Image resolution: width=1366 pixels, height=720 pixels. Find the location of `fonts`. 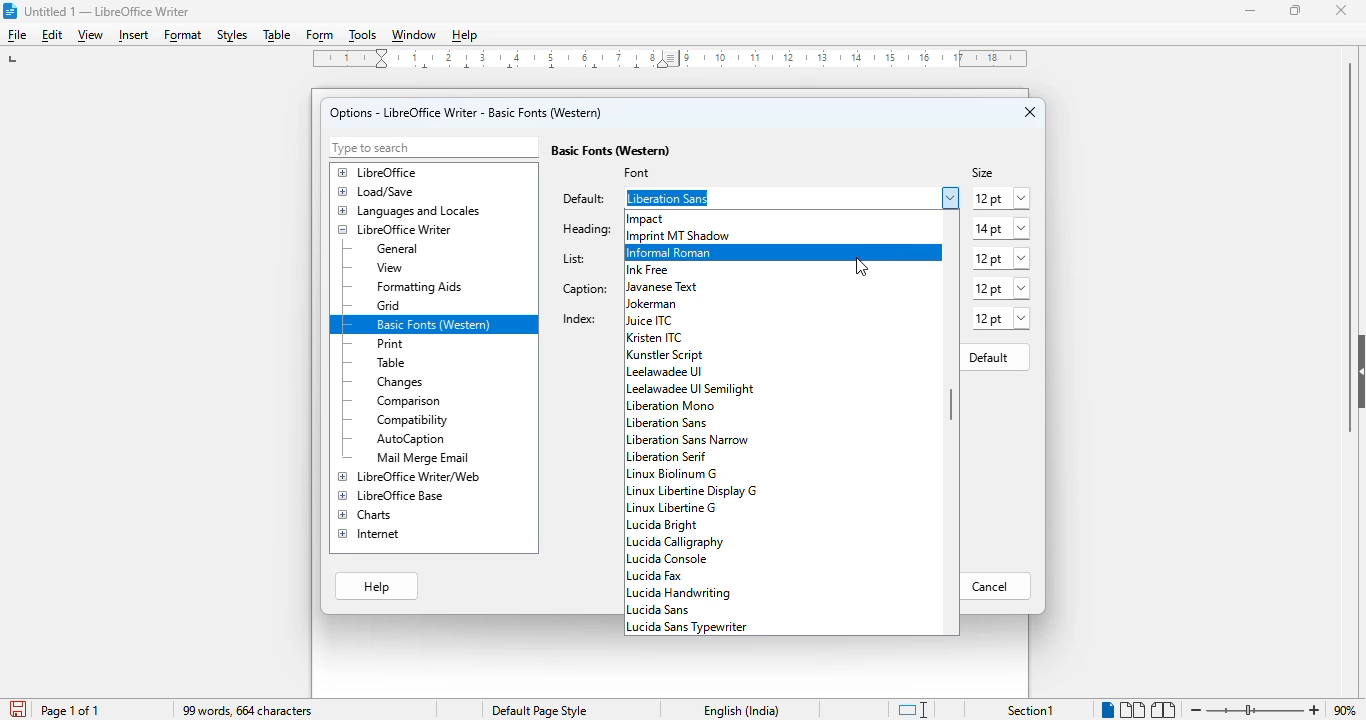

fonts is located at coordinates (681, 226).